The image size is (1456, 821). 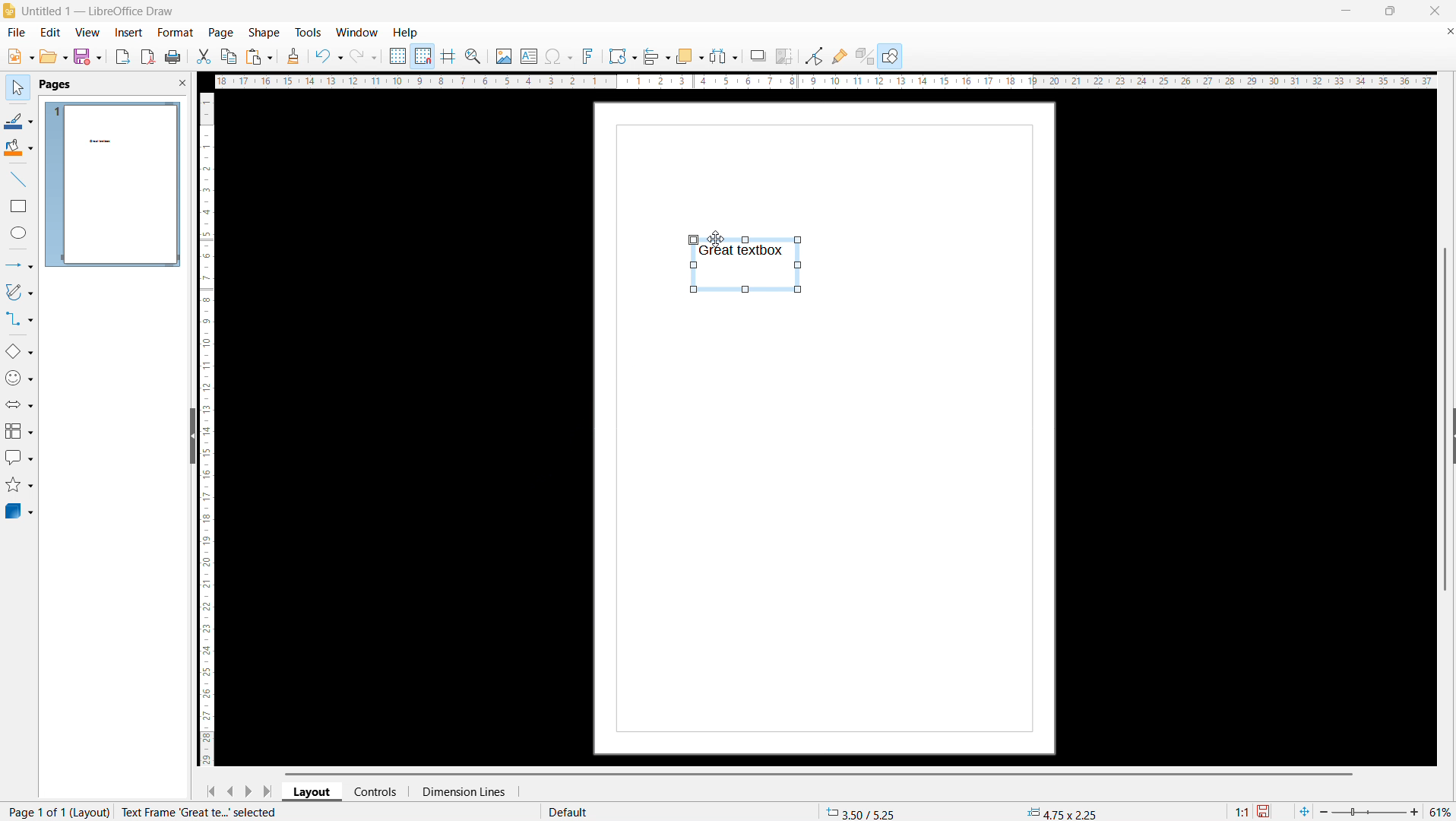 I want to click on insert image, so click(x=504, y=55).